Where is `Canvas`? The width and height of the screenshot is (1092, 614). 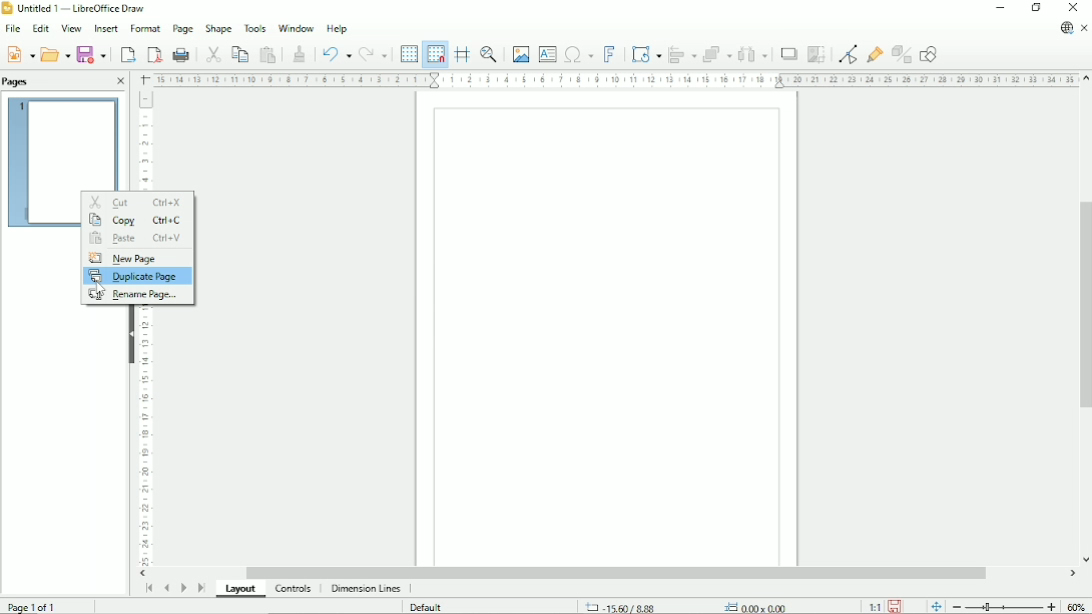
Canvas is located at coordinates (608, 330).